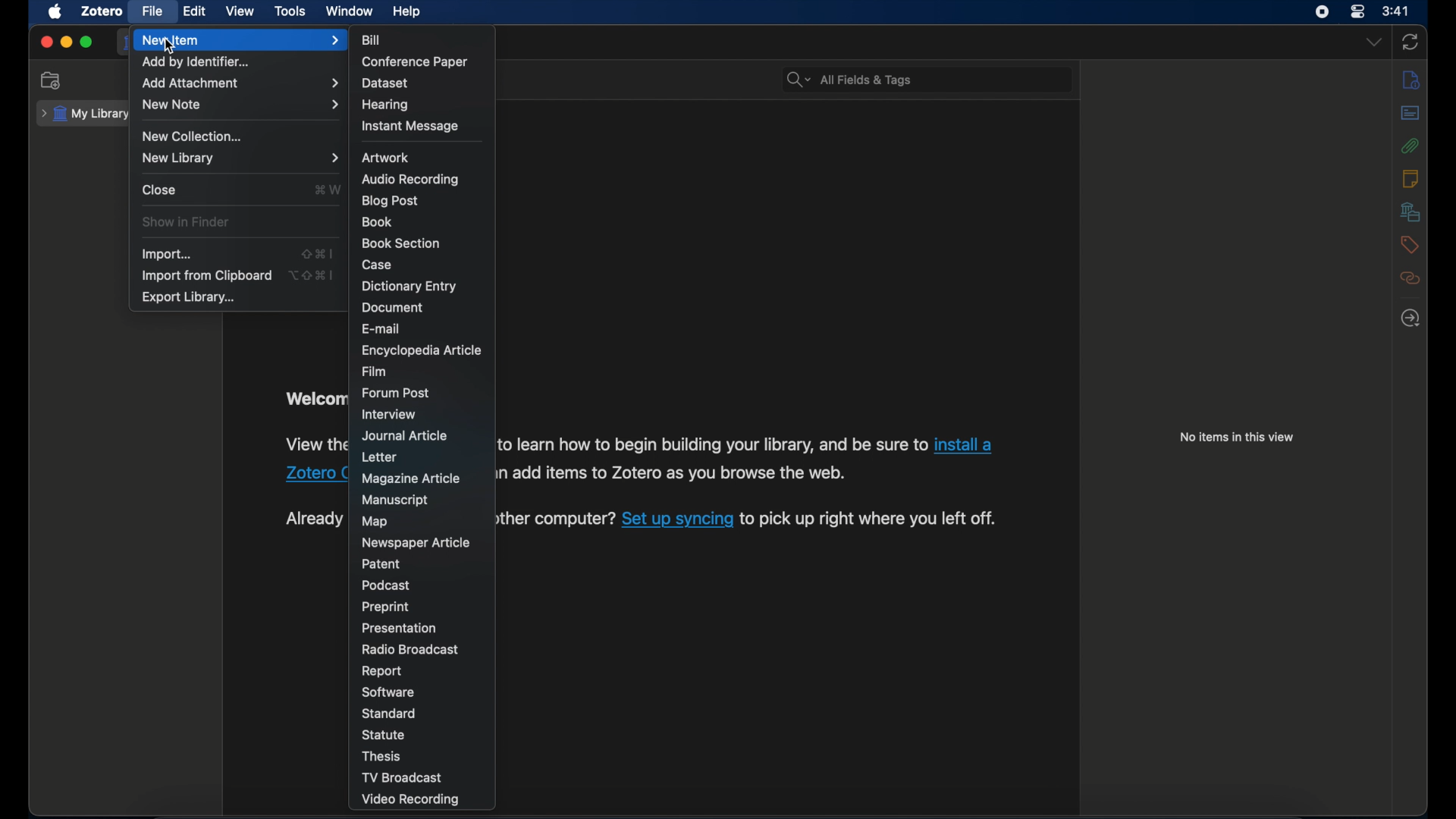  Describe the element at coordinates (206, 276) in the screenshot. I see `import from clipboard` at that location.